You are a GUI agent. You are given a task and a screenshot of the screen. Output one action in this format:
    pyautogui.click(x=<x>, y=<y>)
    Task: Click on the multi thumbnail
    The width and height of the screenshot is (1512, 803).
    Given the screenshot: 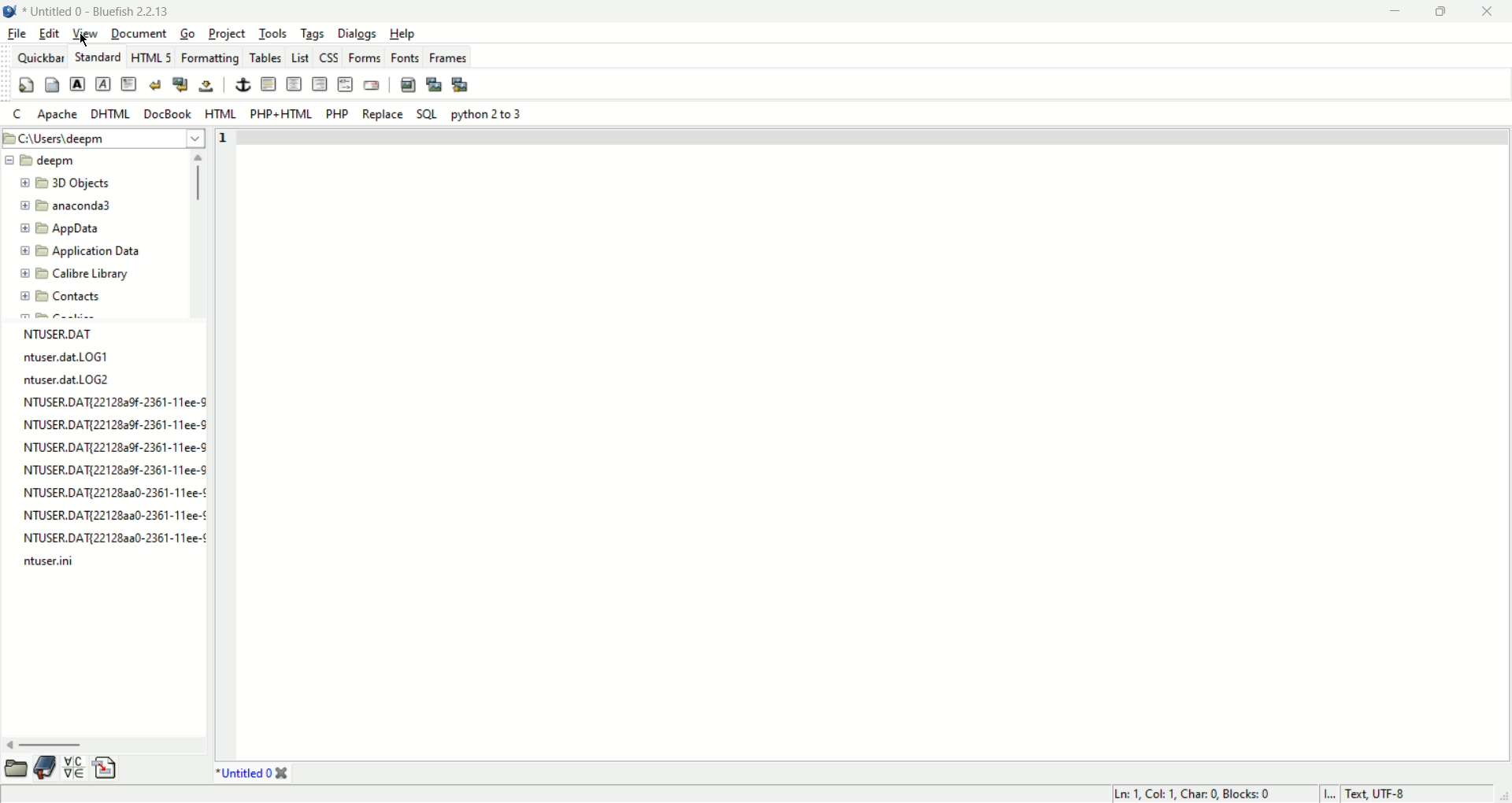 What is the action you would take?
    pyautogui.click(x=460, y=83)
    